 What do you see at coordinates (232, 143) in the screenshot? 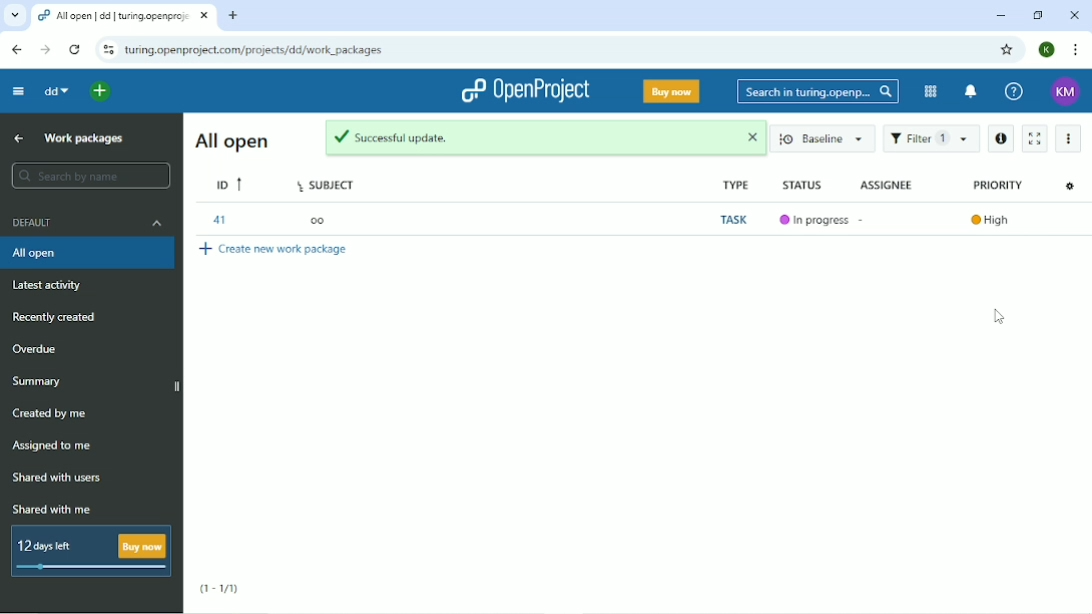
I see `All open` at bounding box center [232, 143].